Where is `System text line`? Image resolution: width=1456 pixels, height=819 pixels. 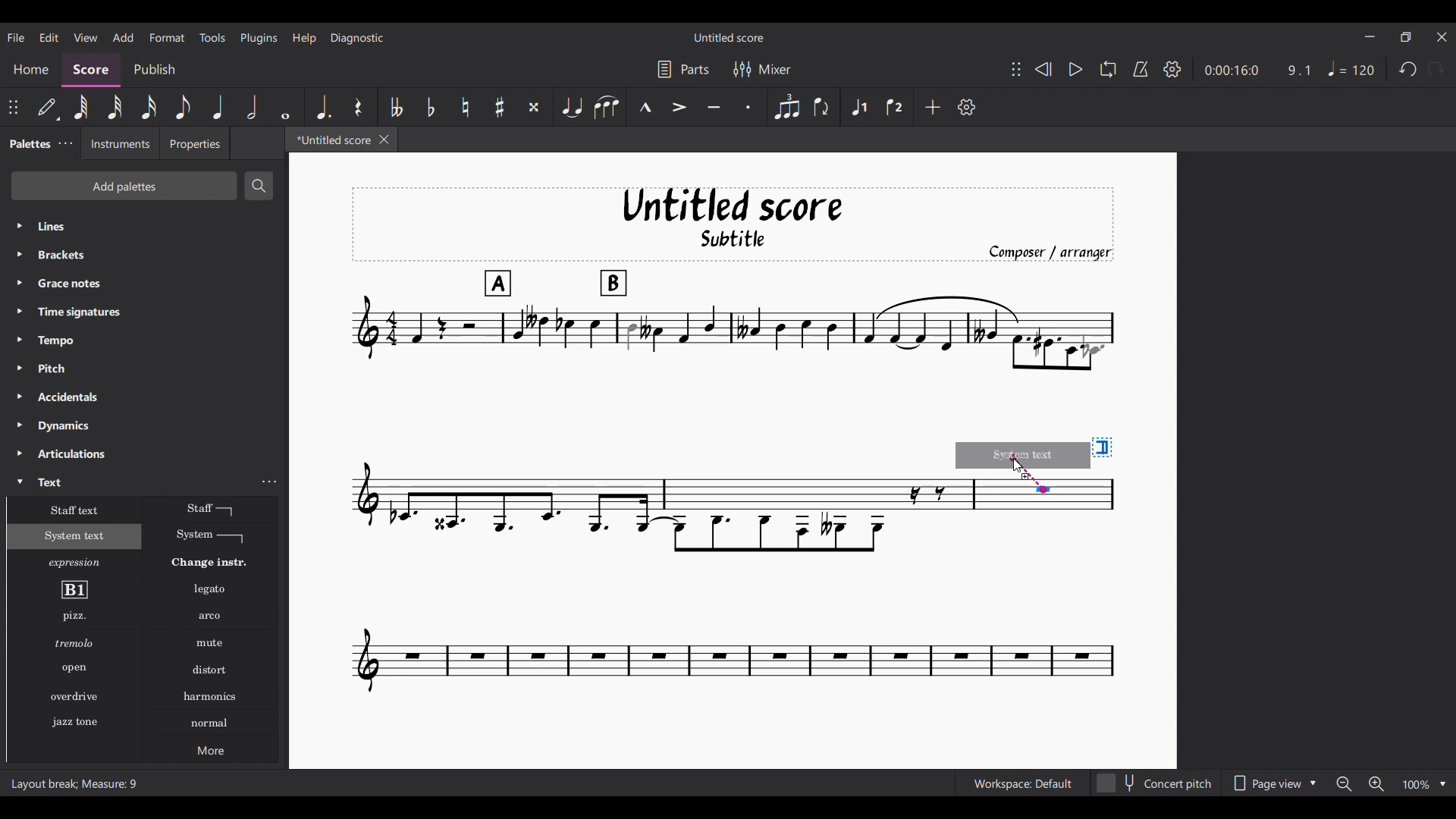
System text line is located at coordinates (210, 536).